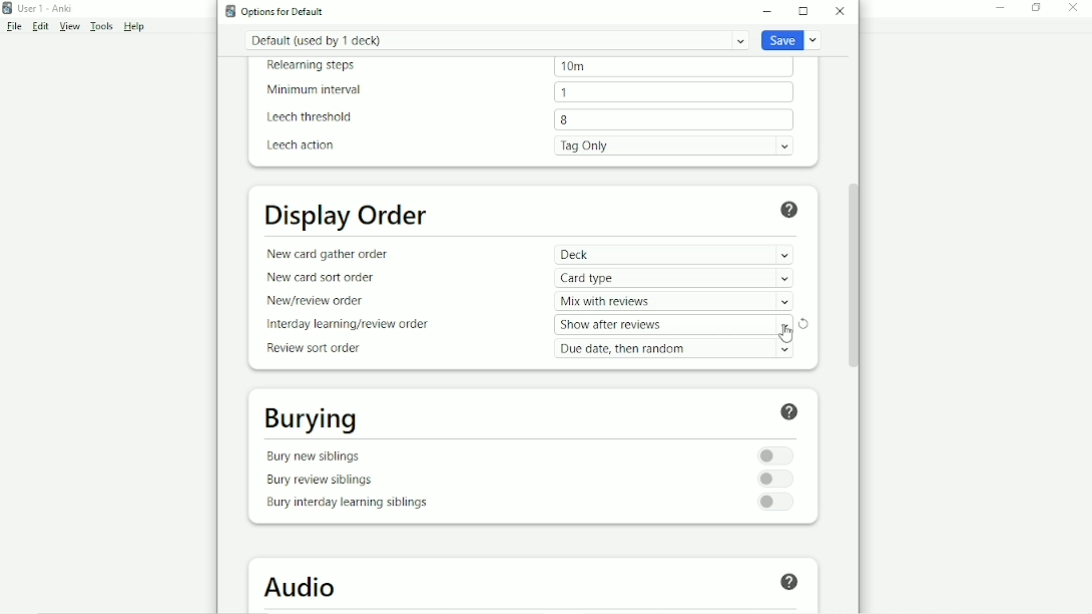 The height and width of the screenshot is (614, 1092). Describe the element at coordinates (803, 324) in the screenshot. I see `Refresh` at that location.